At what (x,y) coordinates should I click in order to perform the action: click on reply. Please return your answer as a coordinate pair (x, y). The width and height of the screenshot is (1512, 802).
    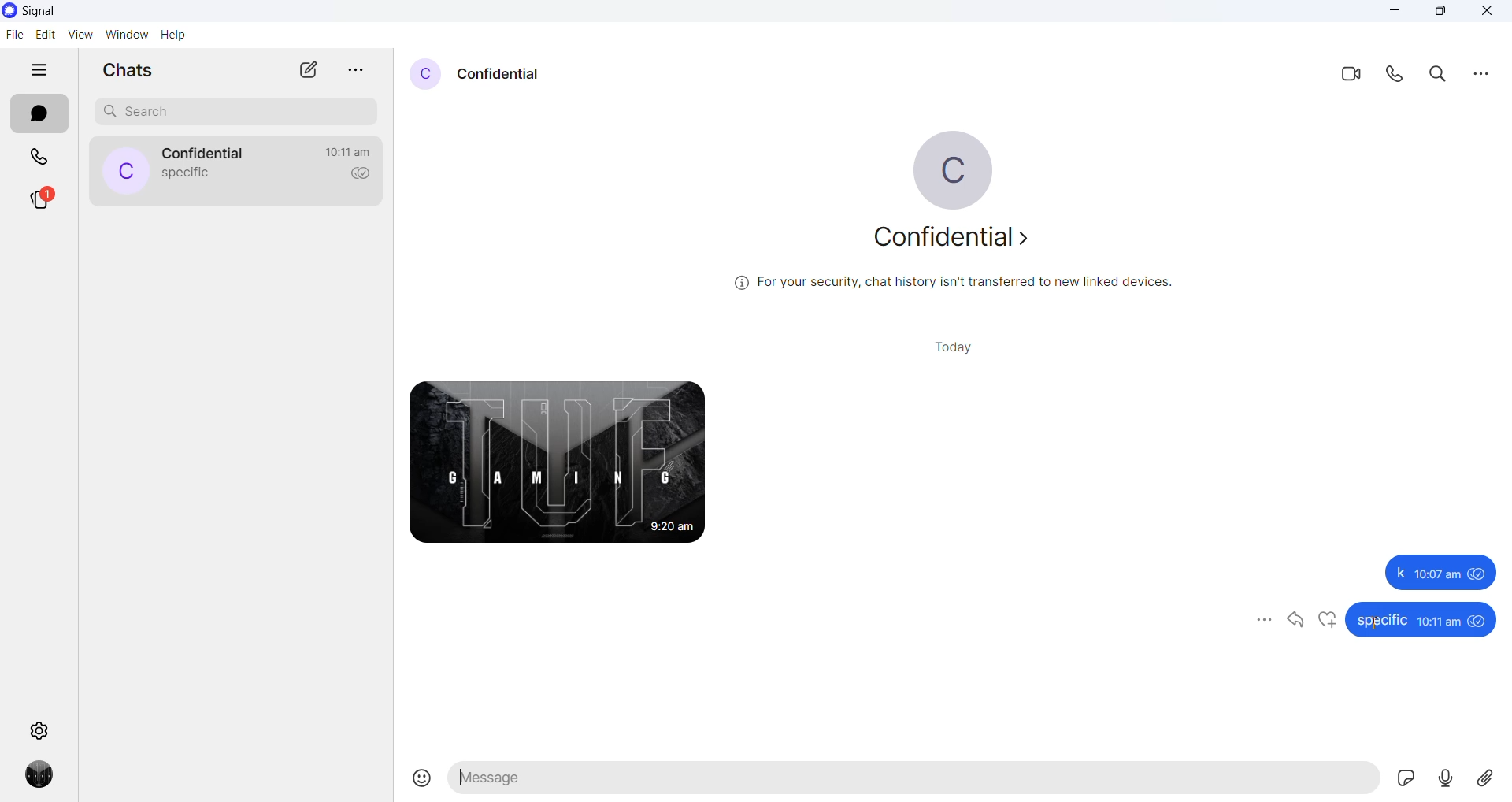
    Looking at the image, I should click on (1296, 619).